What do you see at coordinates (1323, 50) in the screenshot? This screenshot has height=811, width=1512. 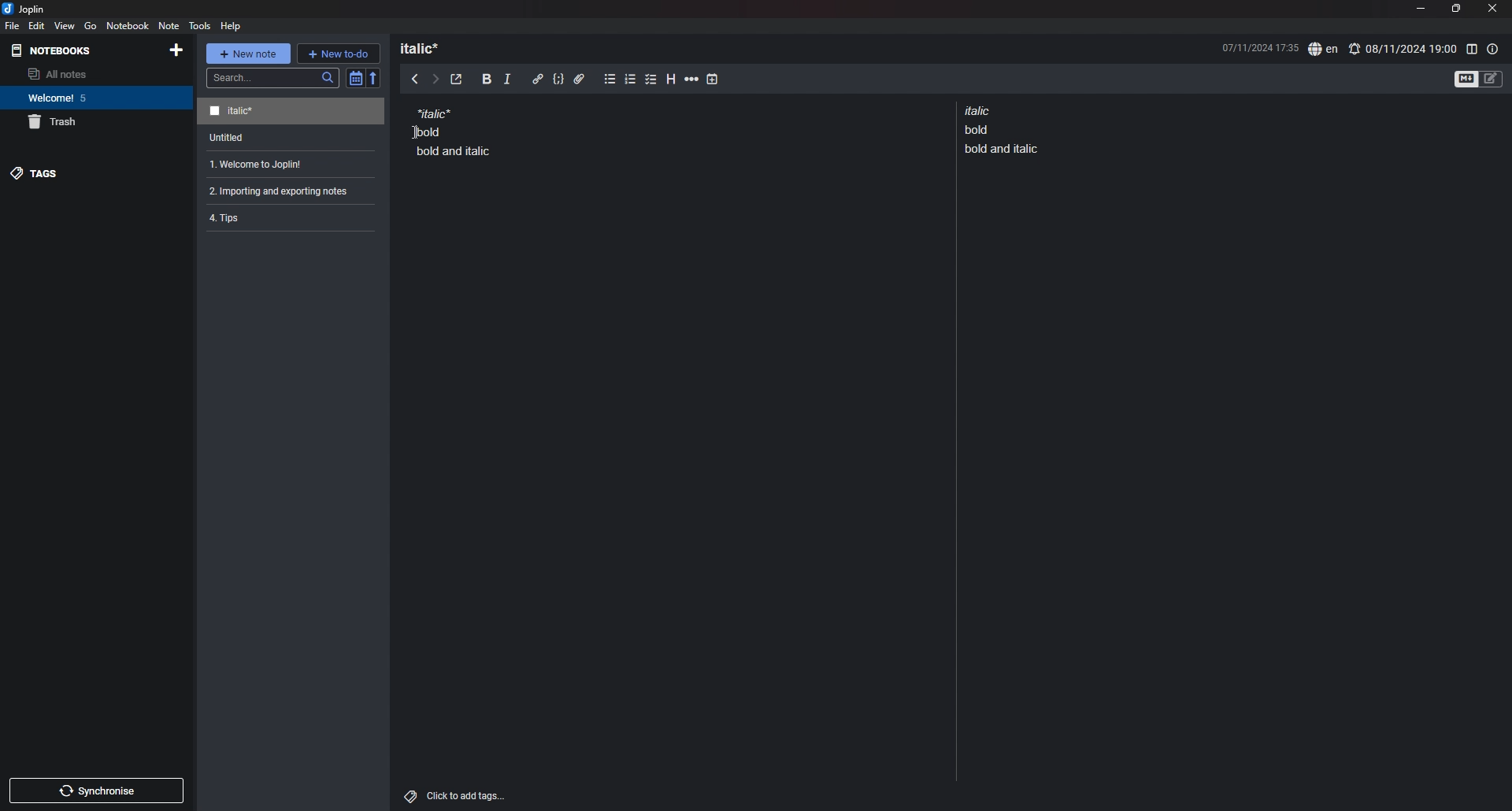 I see `spell check` at bounding box center [1323, 50].